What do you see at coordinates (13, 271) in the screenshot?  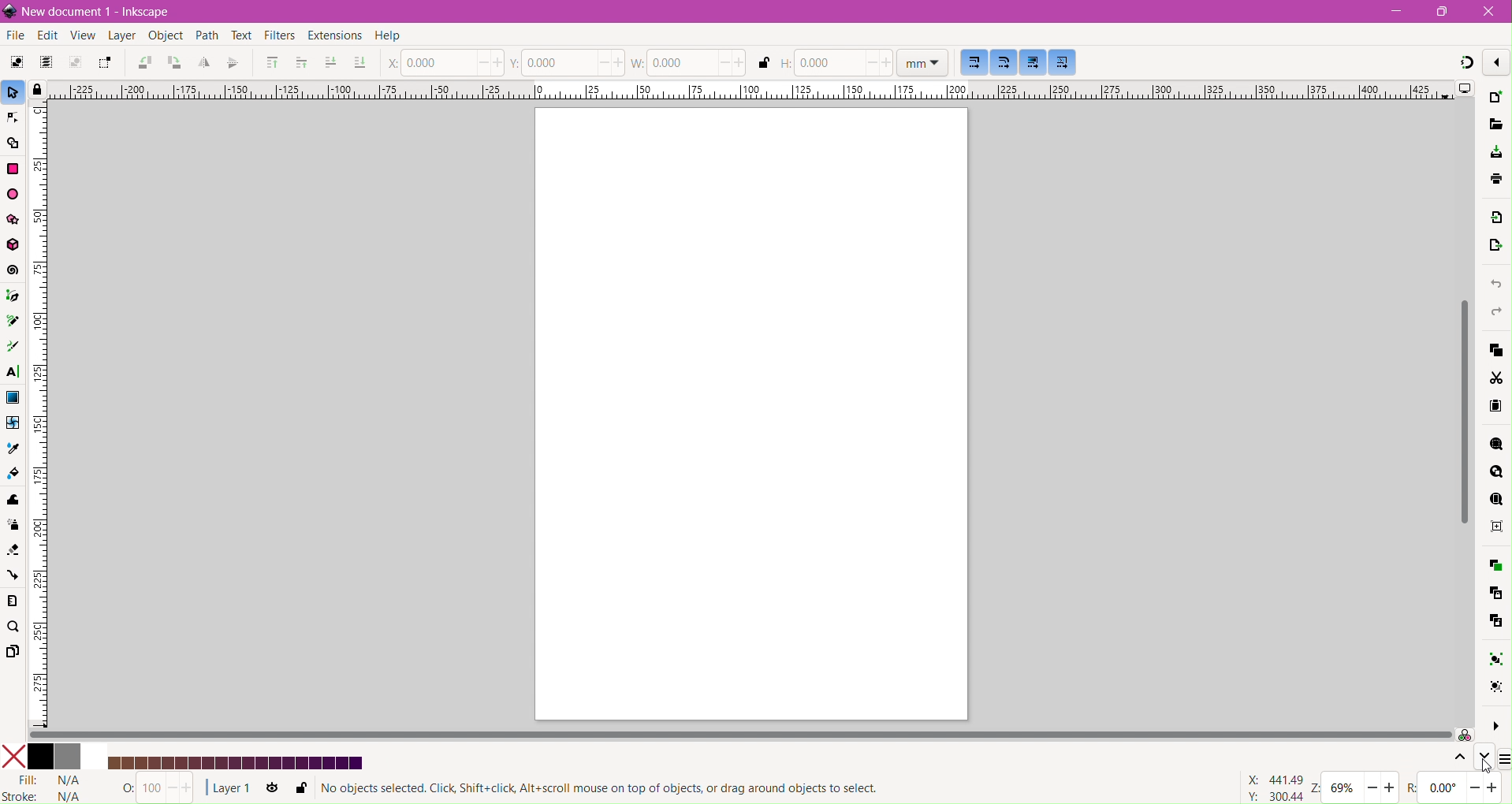 I see `Spiral Tool` at bounding box center [13, 271].